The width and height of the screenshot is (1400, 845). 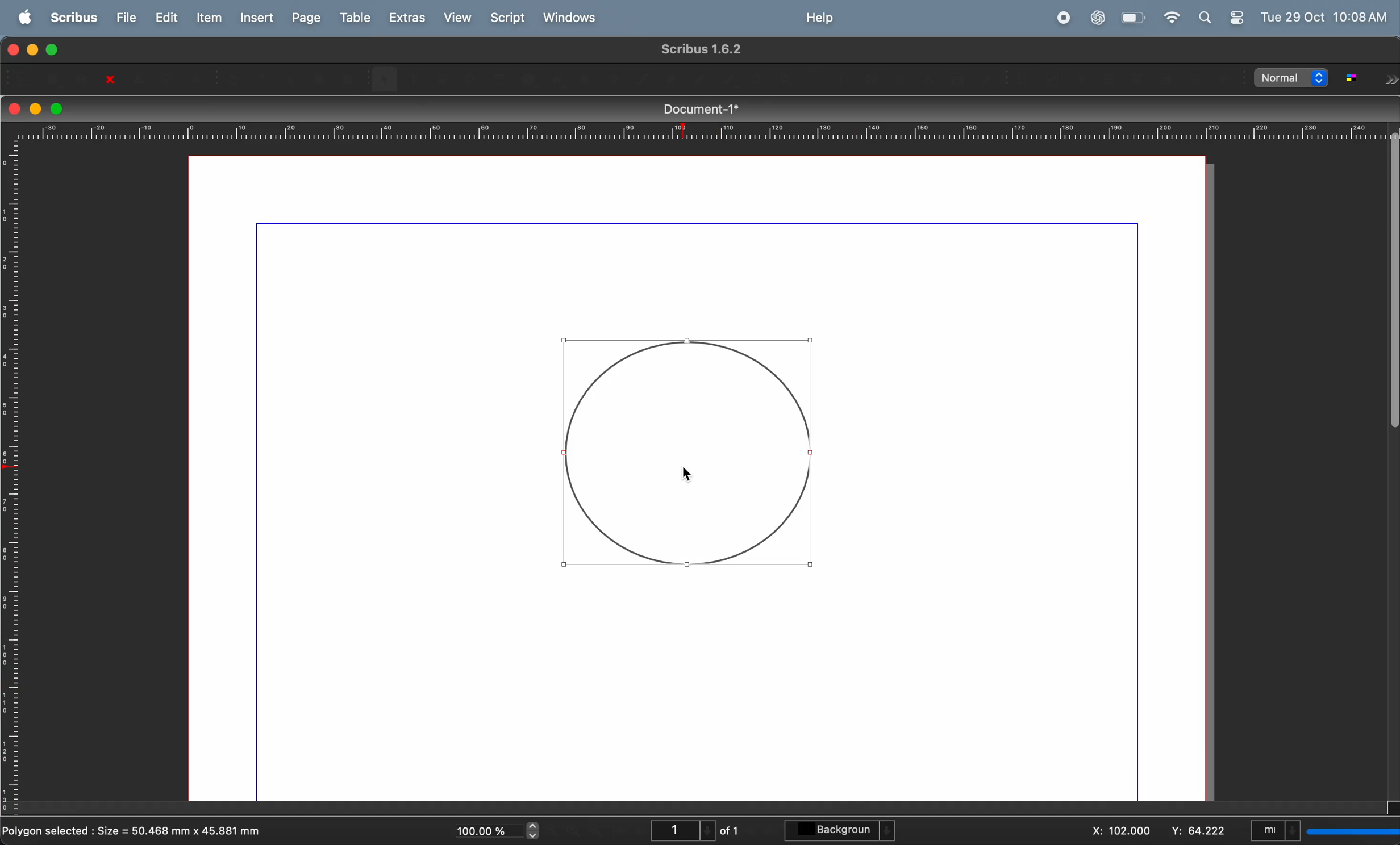 I want to click on vertical scale, so click(x=14, y=480).